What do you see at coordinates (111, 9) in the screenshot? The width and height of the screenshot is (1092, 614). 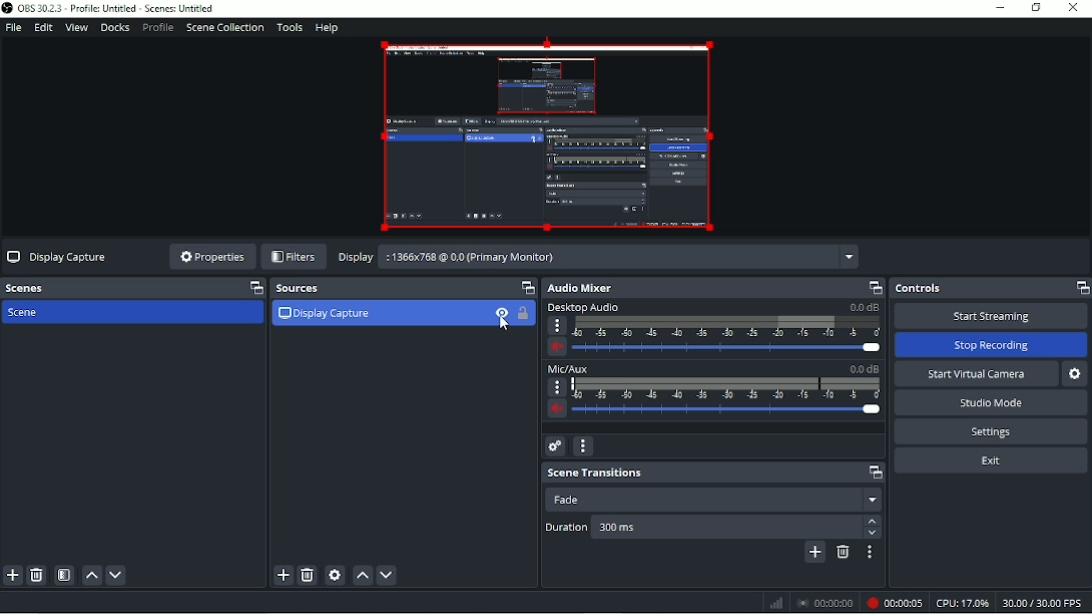 I see `Title` at bounding box center [111, 9].